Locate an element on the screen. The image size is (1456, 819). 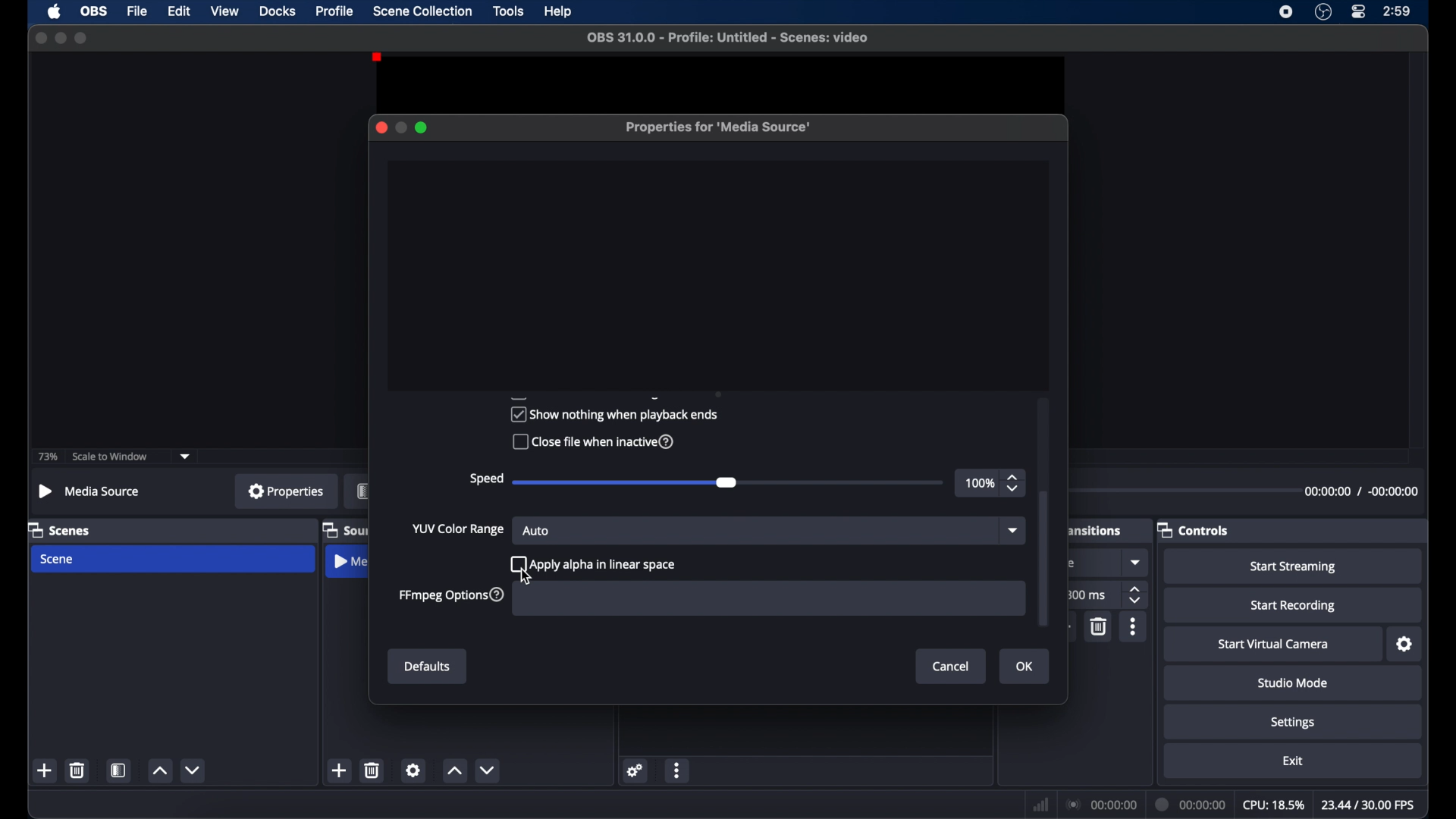
obscure label is located at coordinates (362, 491).